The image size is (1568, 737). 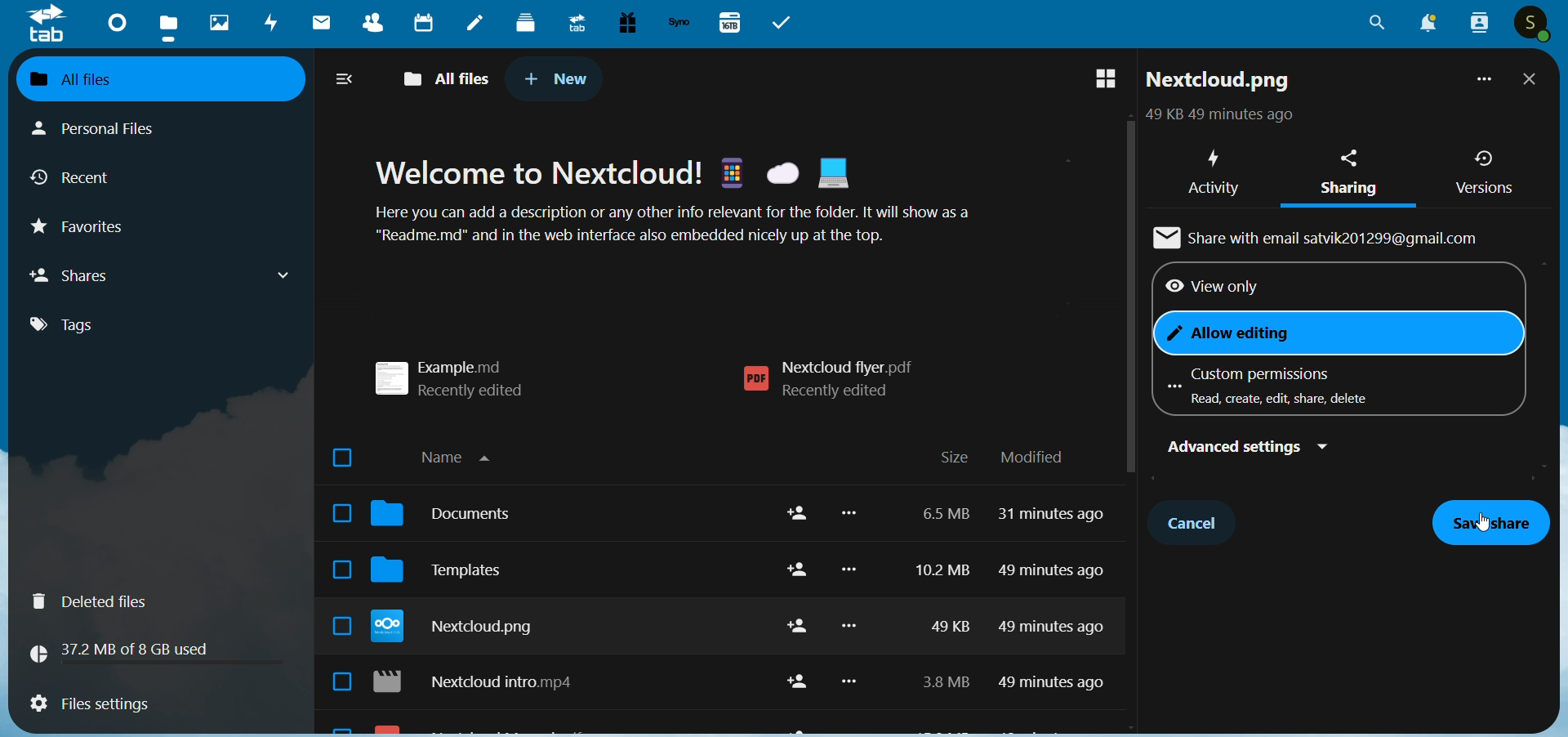 I want to click on deleted files, so click(x=100, y=601).